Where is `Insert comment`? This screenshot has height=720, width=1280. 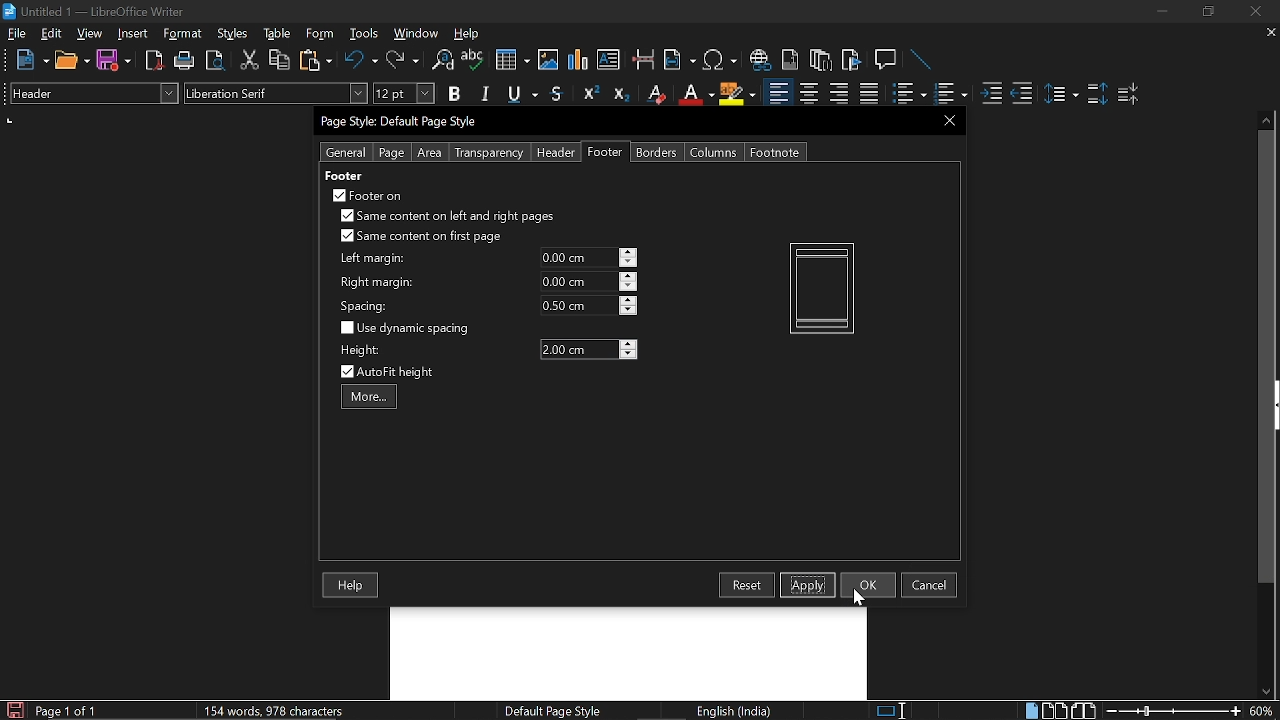 Insert comment is located at coordinates (888, 60).